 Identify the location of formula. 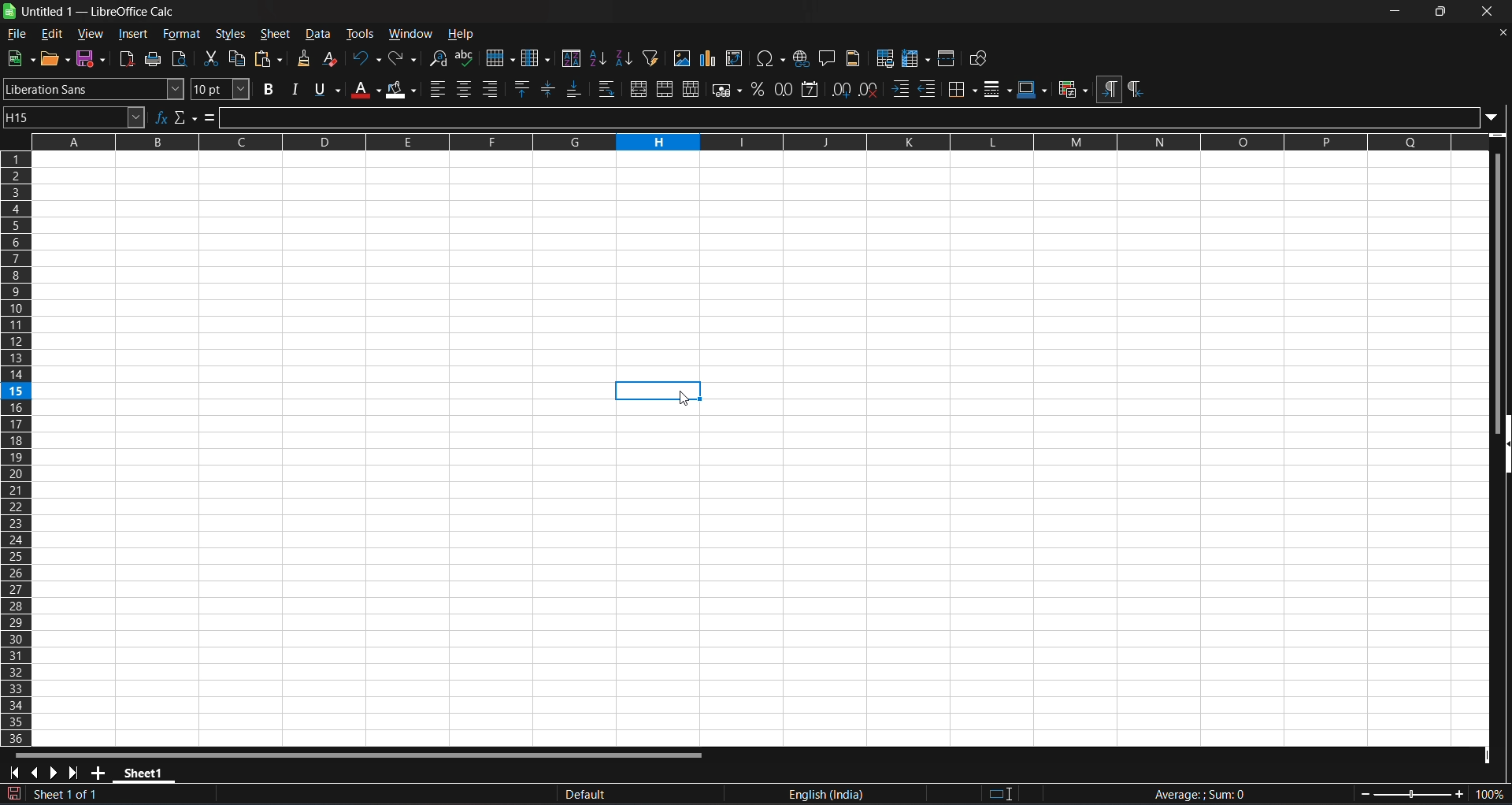
(1194, 793).